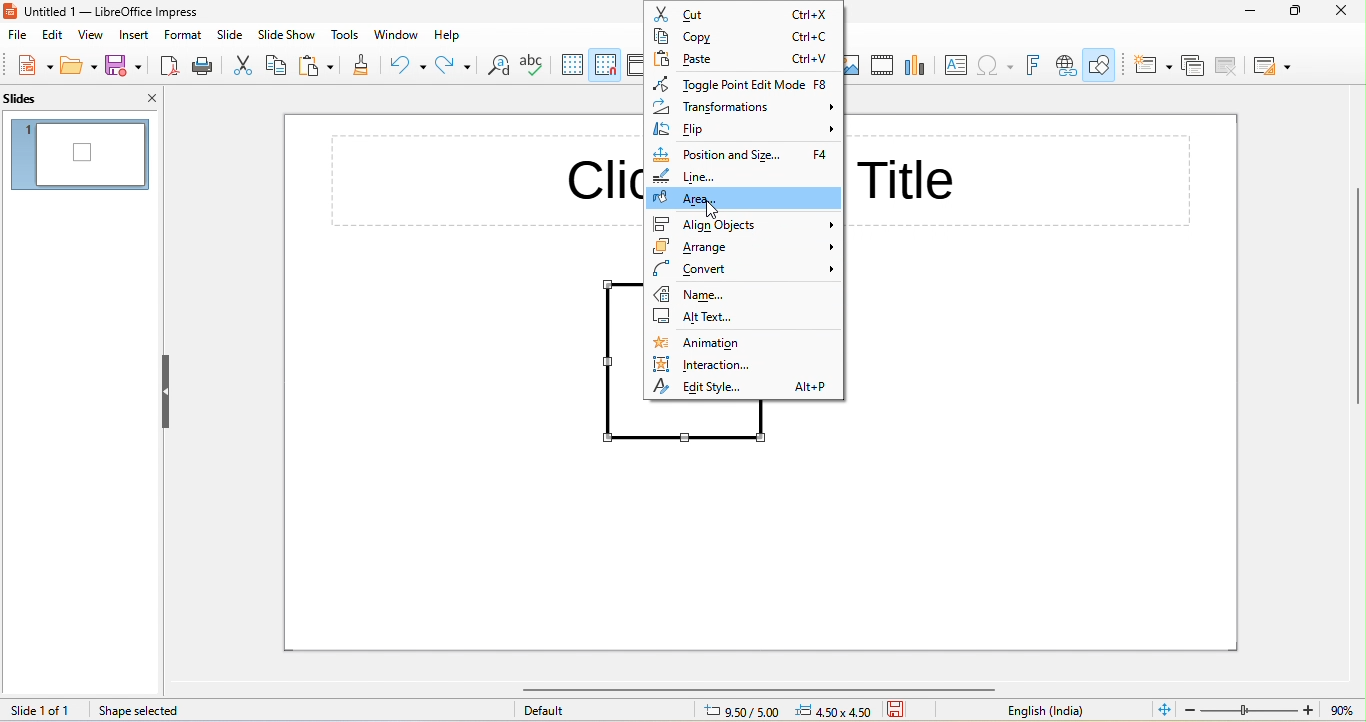 Image resolution: width=1366 pixels, height=722 pixels. Describe the element at coordinates (43, 711) in the screenshot. I see `slide 1 of 1` at that location.